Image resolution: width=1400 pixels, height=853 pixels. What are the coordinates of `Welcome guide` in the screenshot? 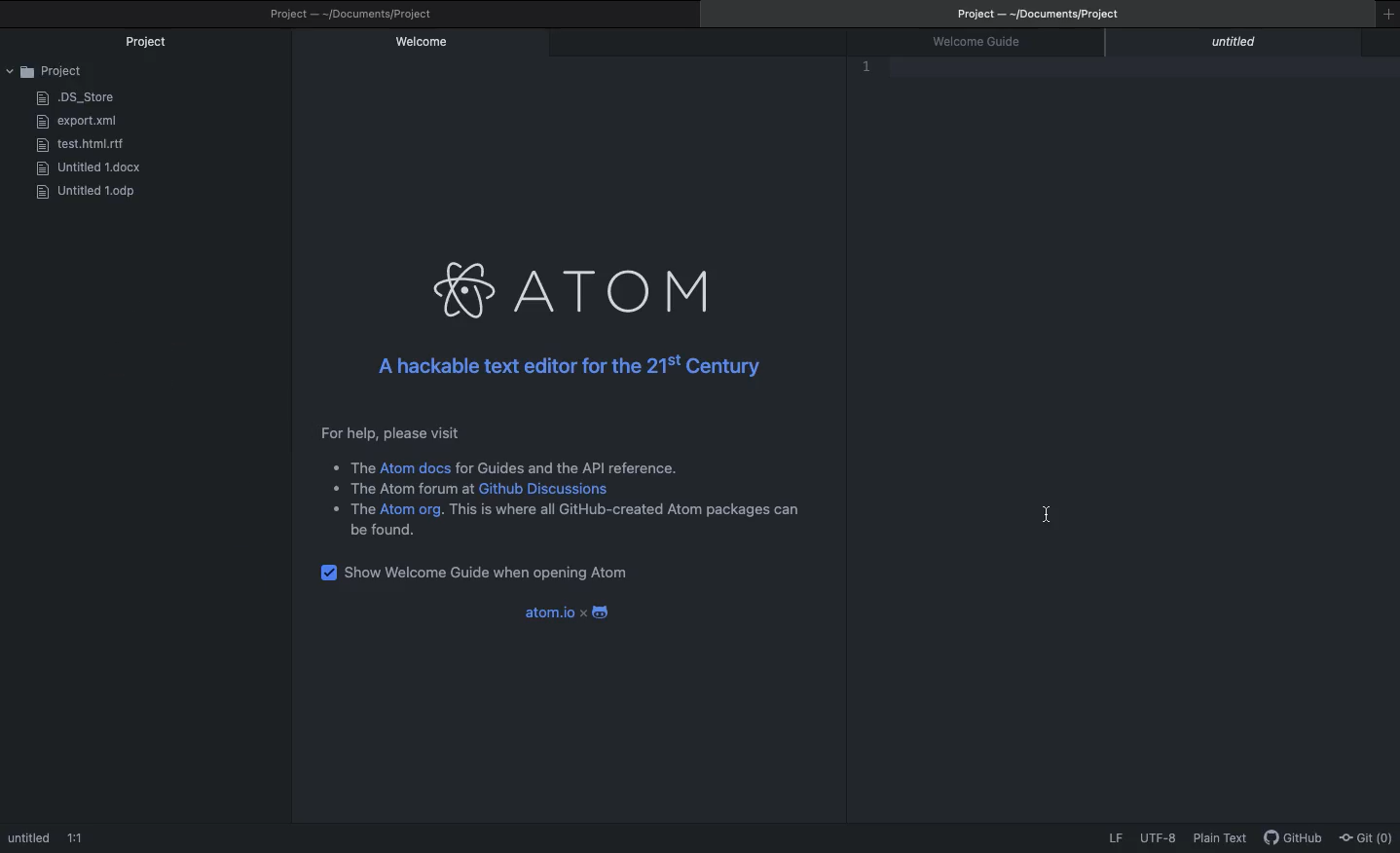 It's located at (986, 43).